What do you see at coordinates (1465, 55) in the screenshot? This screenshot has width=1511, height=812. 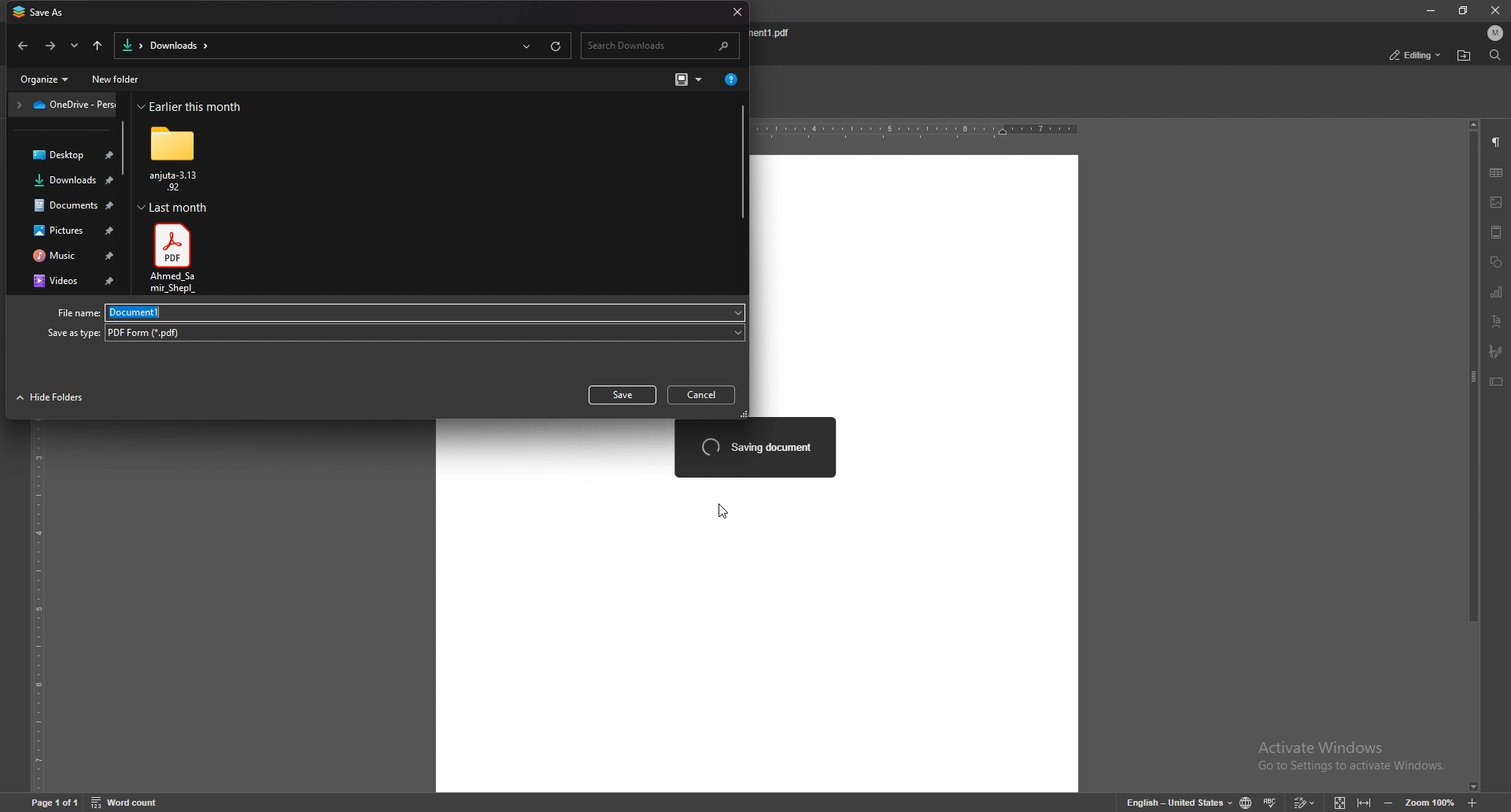 I see `locate file` at bounding box center [1465, 55].